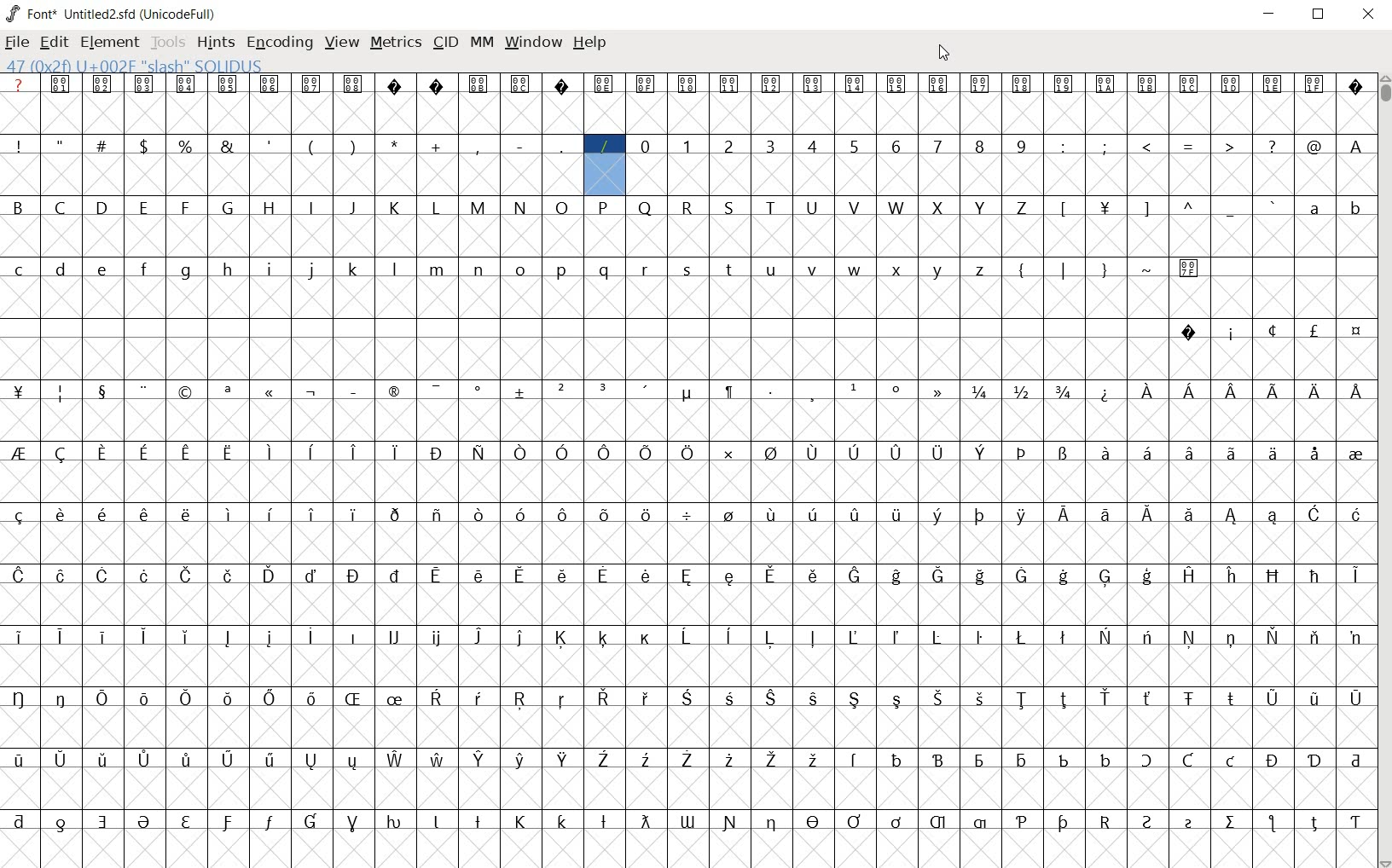 The width and height of the screenshot is (1392, 868). I want to click on glyph, so click(812, 208).